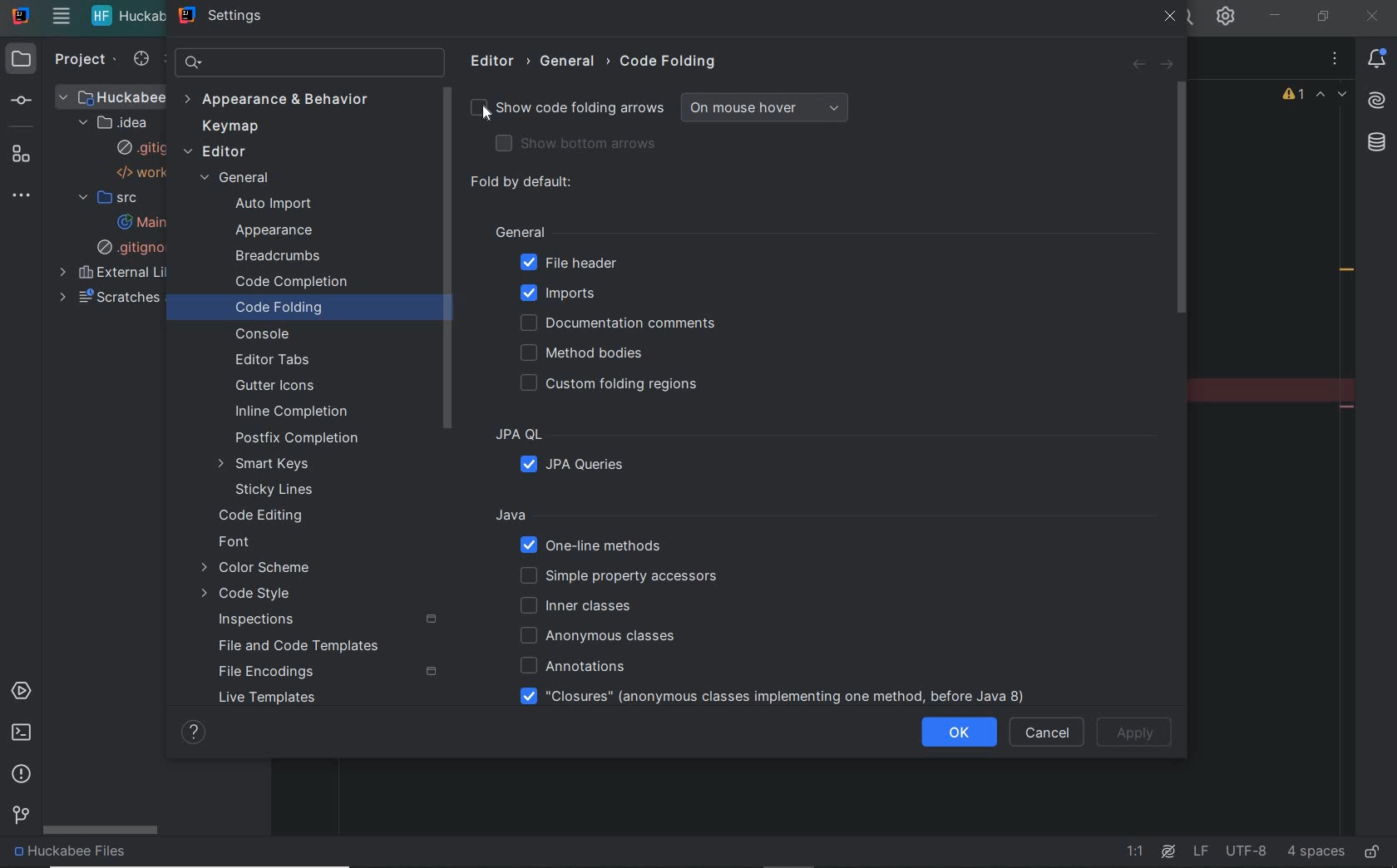  I want to click on annotations, so click(566, 665).